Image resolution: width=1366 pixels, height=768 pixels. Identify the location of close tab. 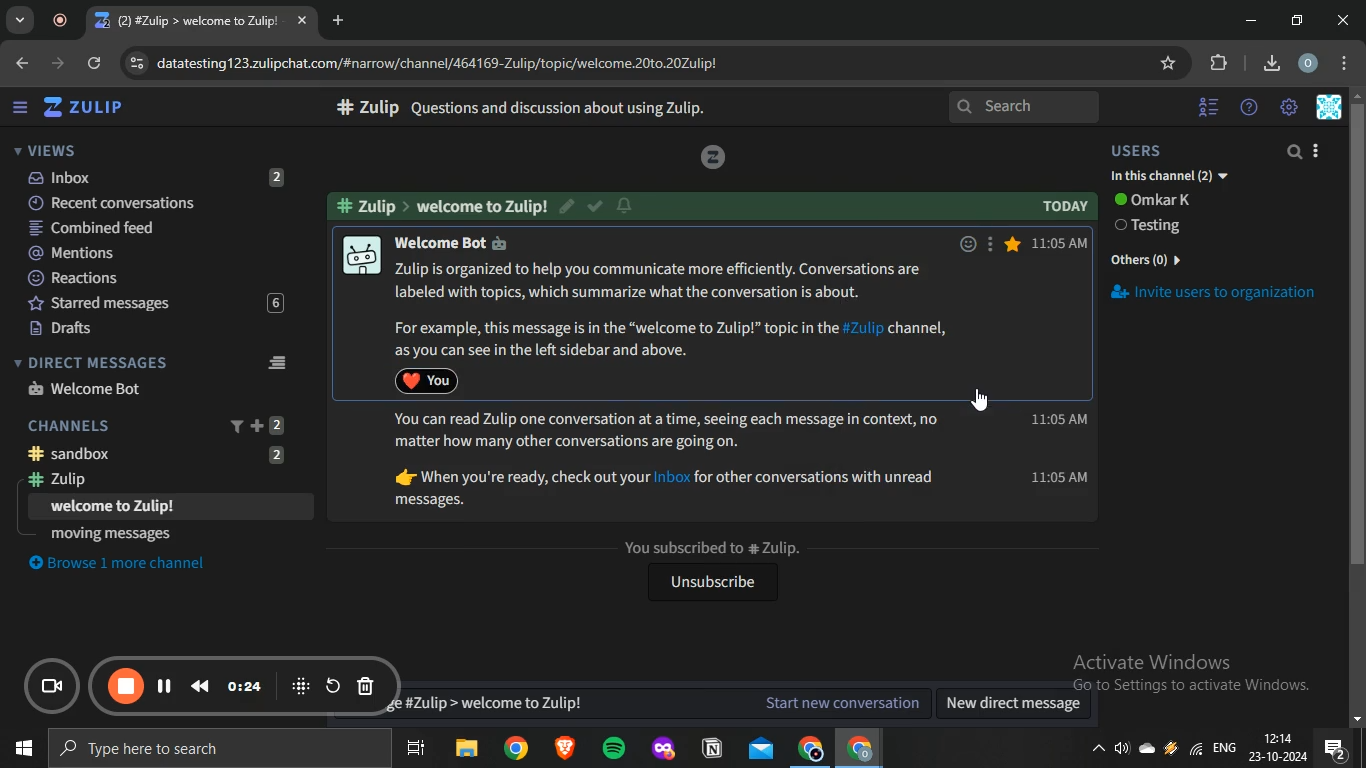
(304, 22).